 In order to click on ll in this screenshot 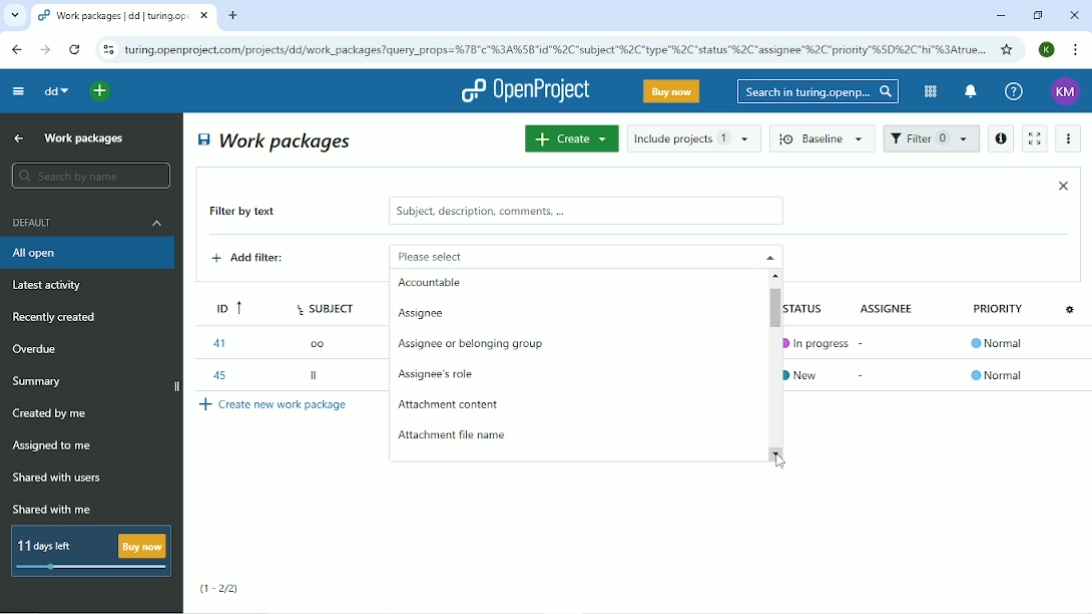, I will do `click(316, 378)`.